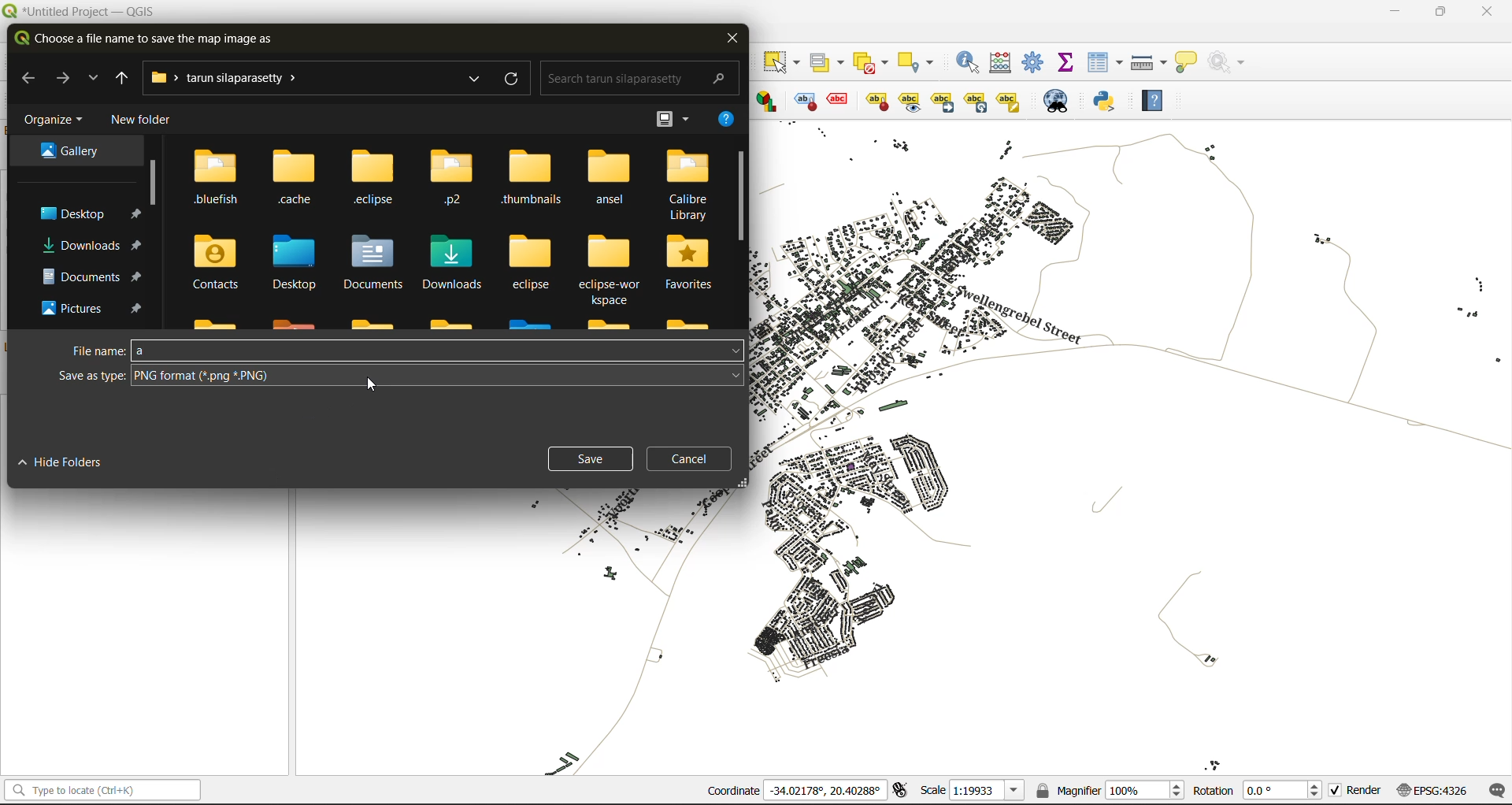 The image size is (1512, 805). Describe the element at coordinates (802, 101) in the screenshot. I see ` toggle display` at that location.